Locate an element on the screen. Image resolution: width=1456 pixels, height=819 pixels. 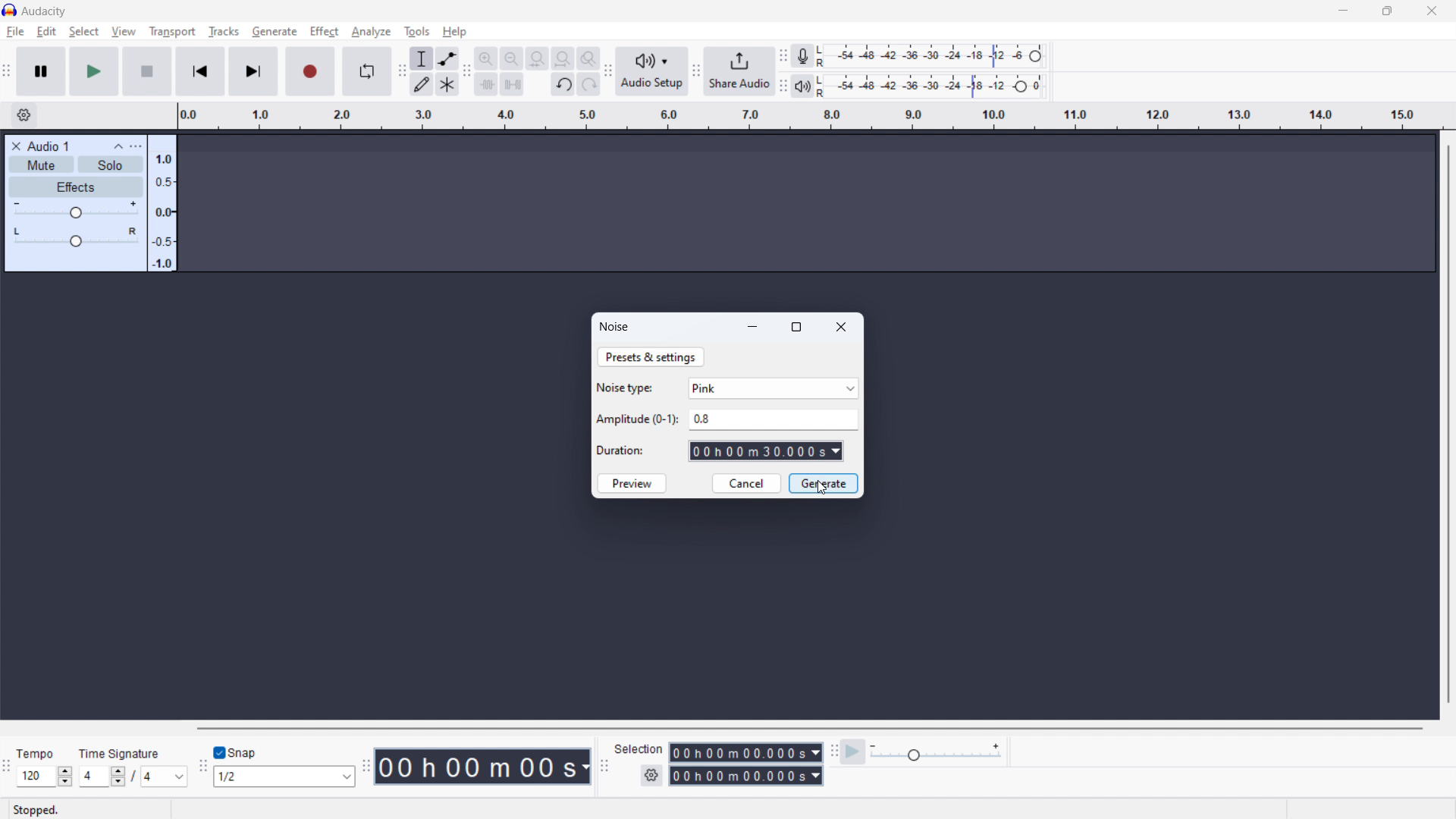
tracks is located at coordinates (223, 32).